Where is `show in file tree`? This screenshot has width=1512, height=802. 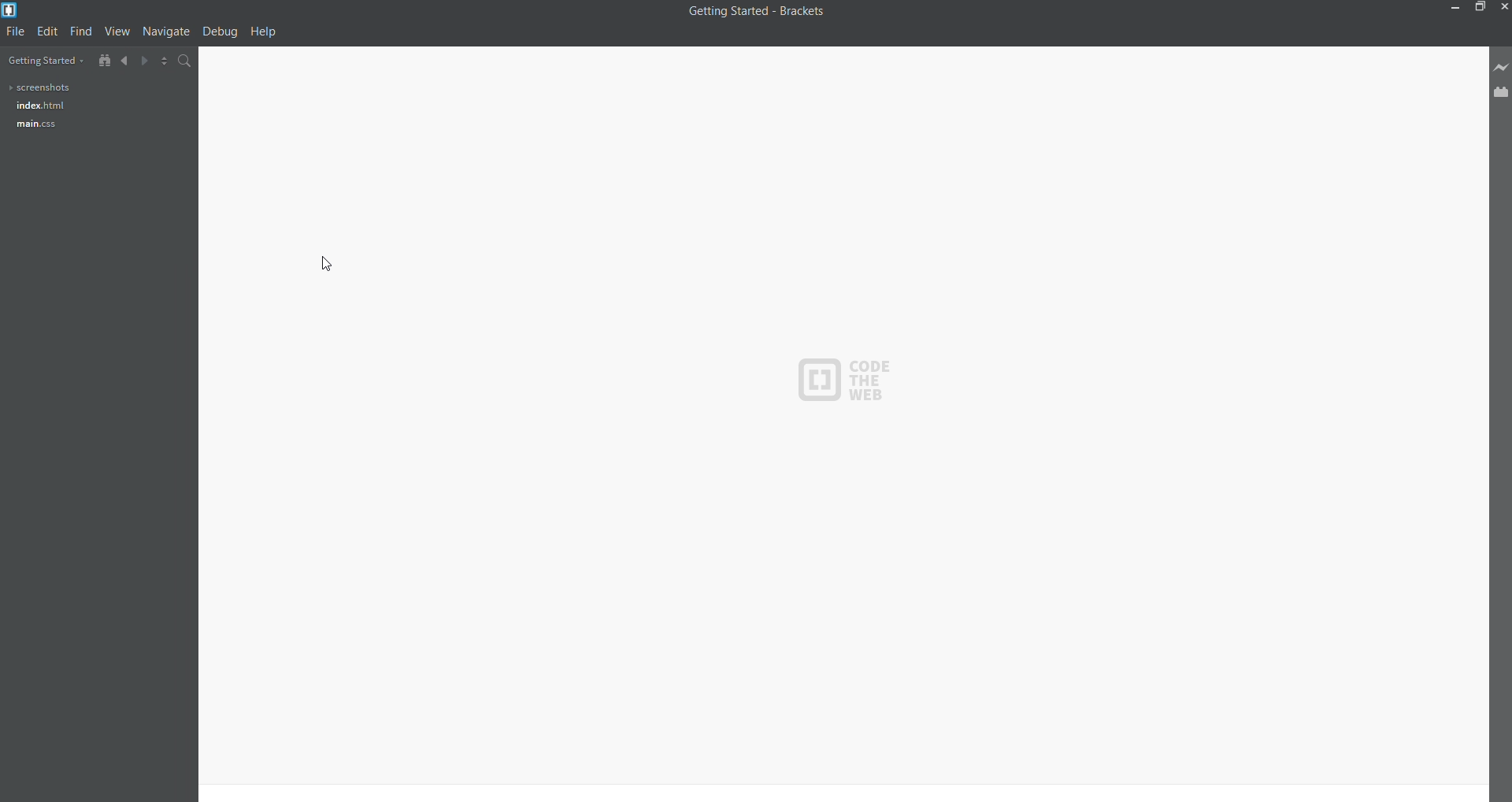
show in file tree is located at coordinates (99, 58).